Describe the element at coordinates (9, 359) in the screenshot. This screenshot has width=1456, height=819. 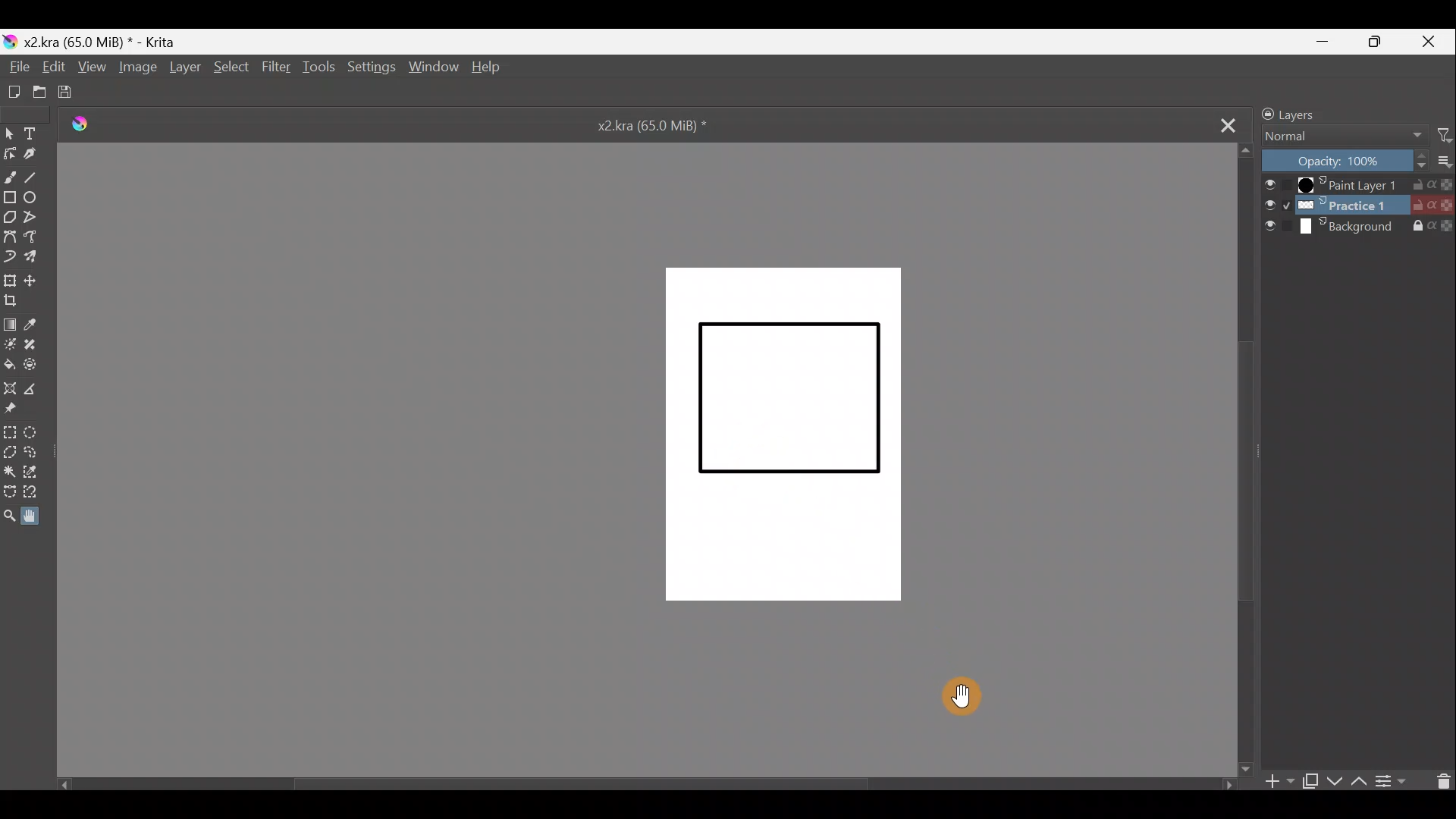
I see `Fill a contiguous area of colour with colour/fill a selection` at that location.